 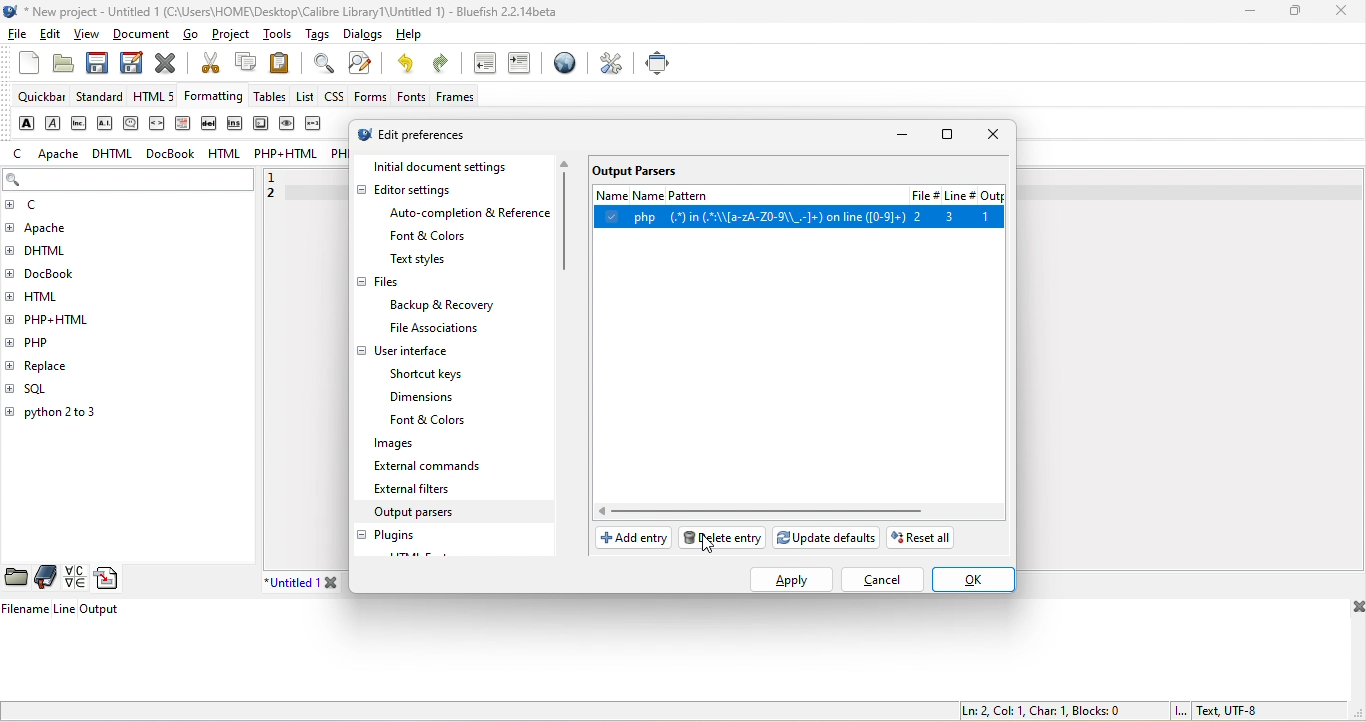 I want to click on dialogs, so click(x=359, y=36).